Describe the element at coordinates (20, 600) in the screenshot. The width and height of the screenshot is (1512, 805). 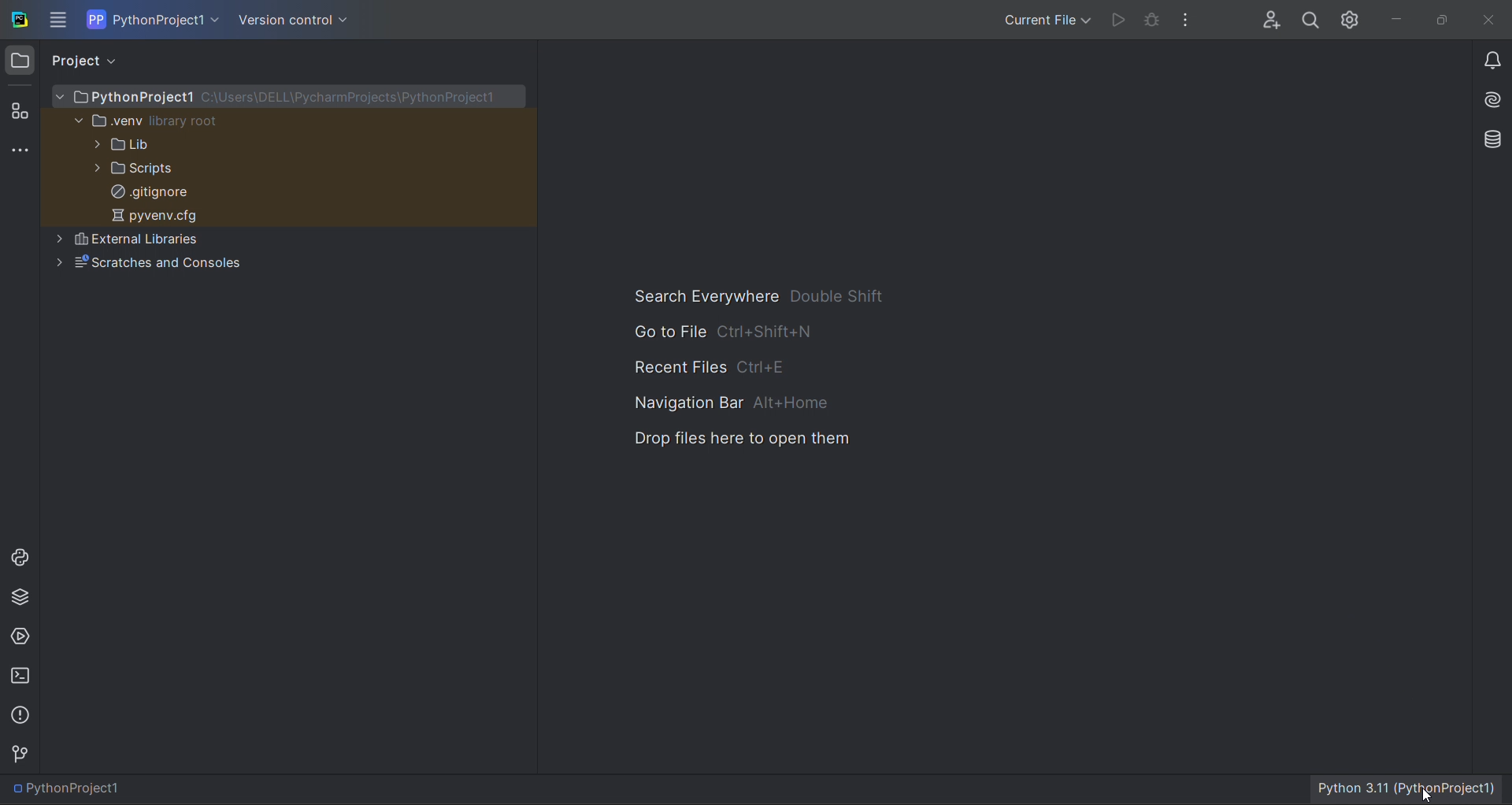
I see `python package` at that location.